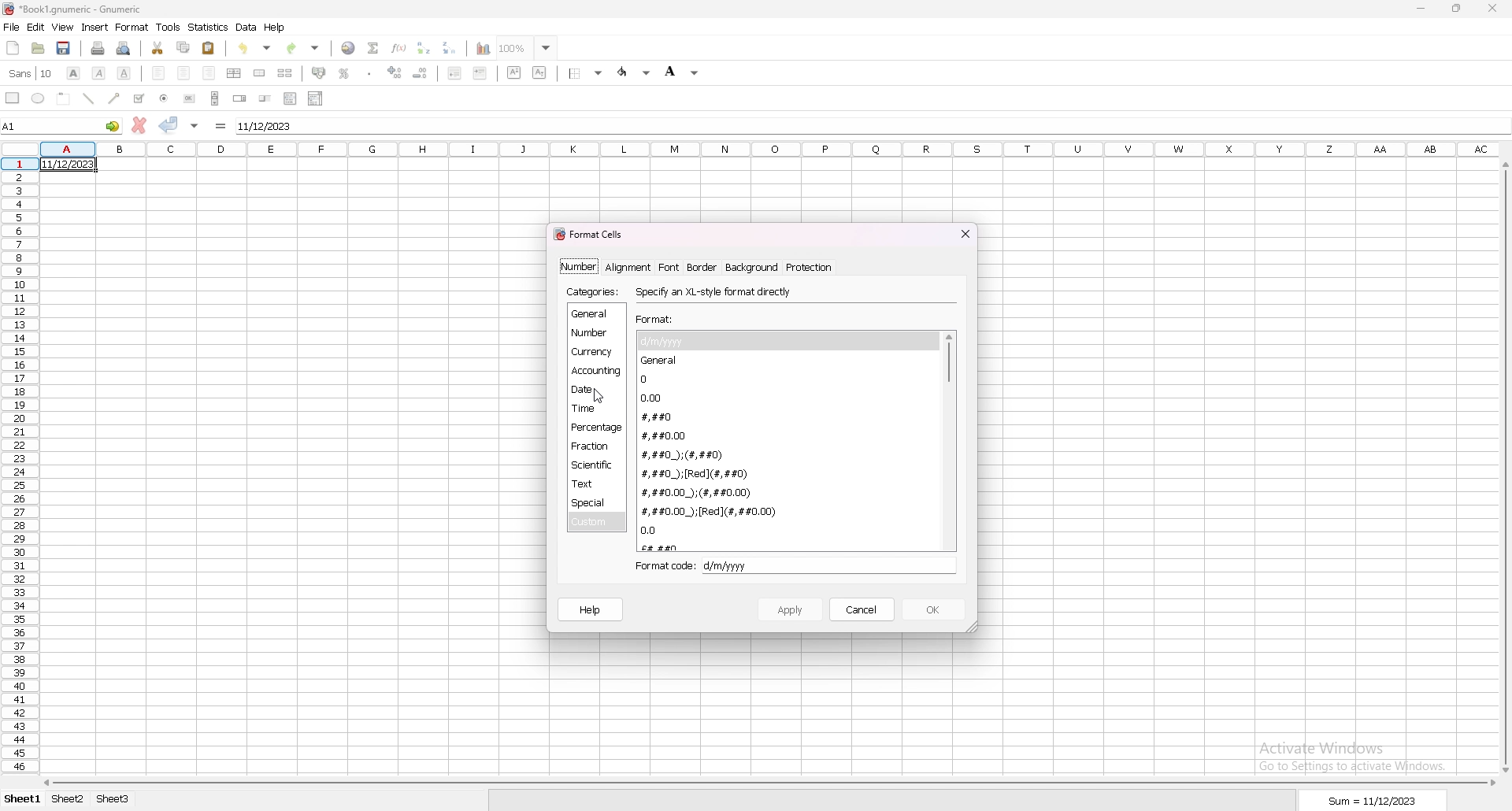 This screenshot has width=1512, height=811. I want to click on scroll bar, so click(1503, 467).